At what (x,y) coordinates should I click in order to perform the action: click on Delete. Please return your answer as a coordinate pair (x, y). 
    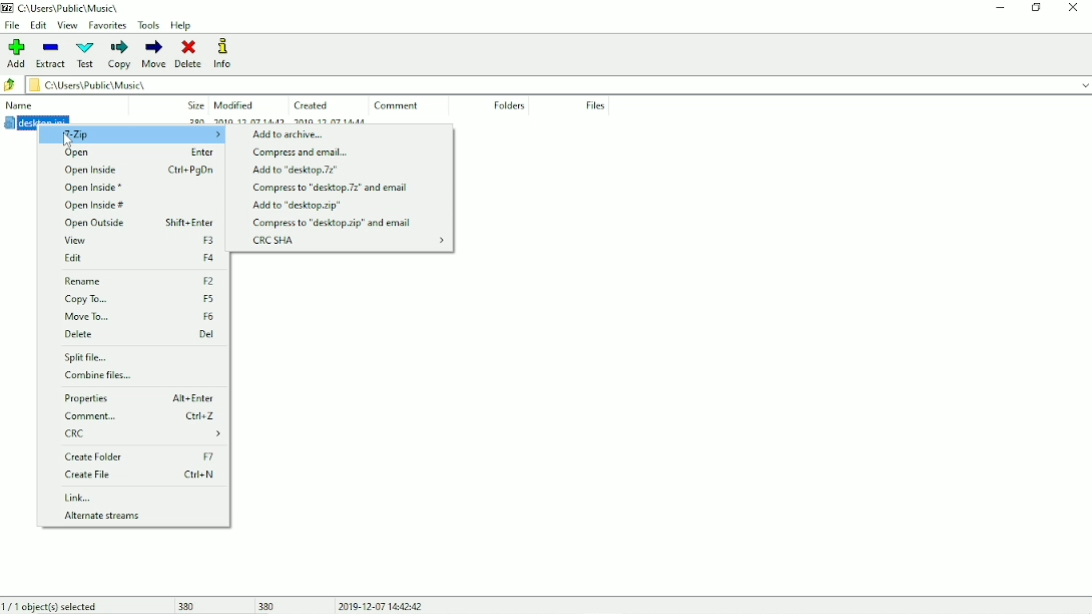
    Looking at the image, I should click on (189, 54).